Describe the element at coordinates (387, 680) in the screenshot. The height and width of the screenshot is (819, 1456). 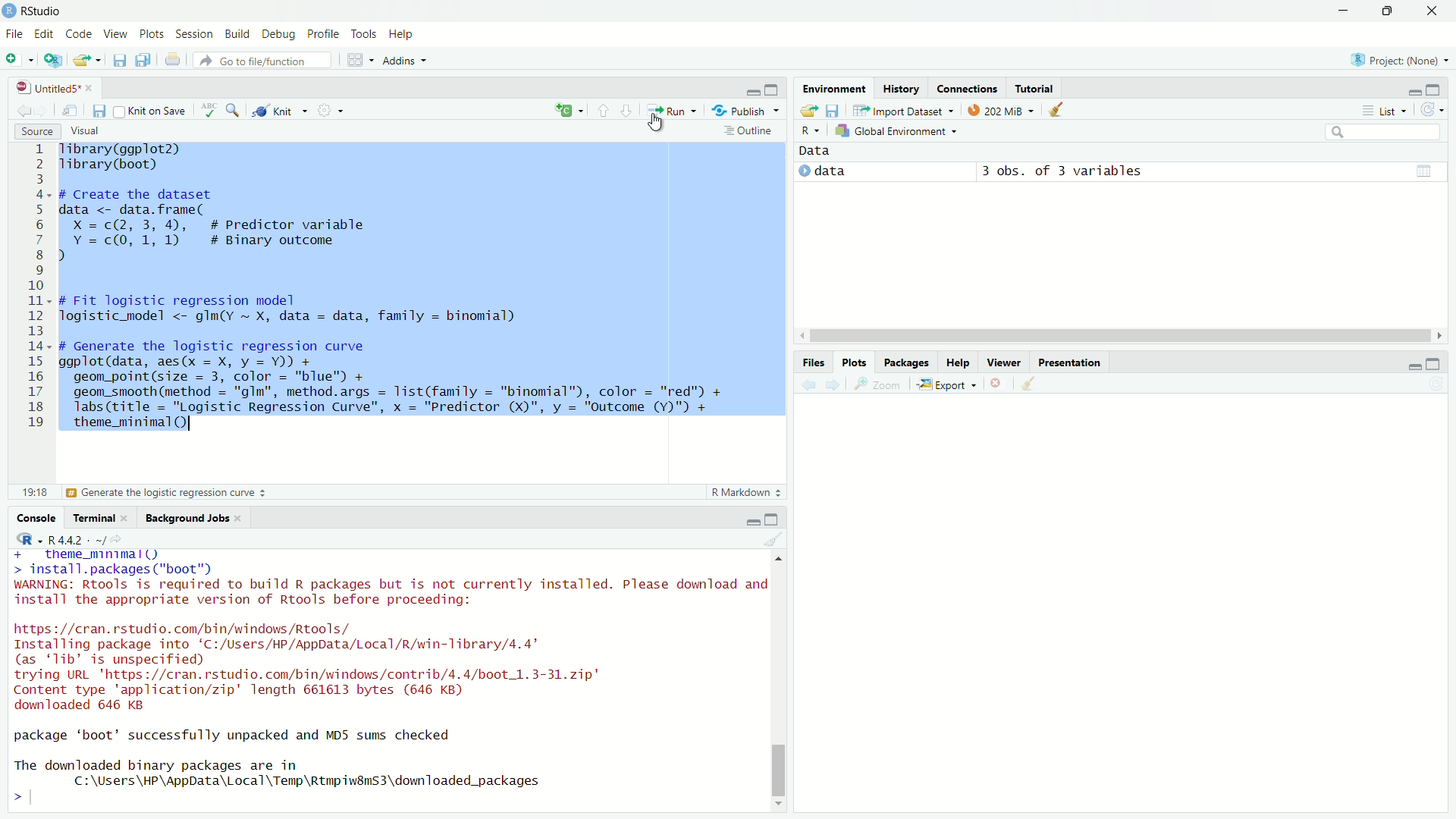
I see `+ theme_minimal()

> install.packages ("boot")

WARNING: Rtools is required to build R packages but is not currently installed. Please download anc

install the appropriate version of Rtools before proceeding:

https://cran.rstudio.com/bin/windows /Rtools/

Installing package into ‘C:/Users/HP/AppData/Local/R/win-library/4.4’

(as ‘1ib’ is unspecified)

trying URL 'https://cran.rstudio.com/bin/windows/contrib/4.4/boot_1.3-31.zip"

Content type 'application/zip' length 661613 bytes (646 KB)

downloaded 646 KB

package ‘boot’ successfully unpacked and MDS sums checked

The downloaded binary packages are in
C:\Users\HP\AppData\Local\Temp\Rtmpiw8mS3\downloaded_packages

>` at that location.